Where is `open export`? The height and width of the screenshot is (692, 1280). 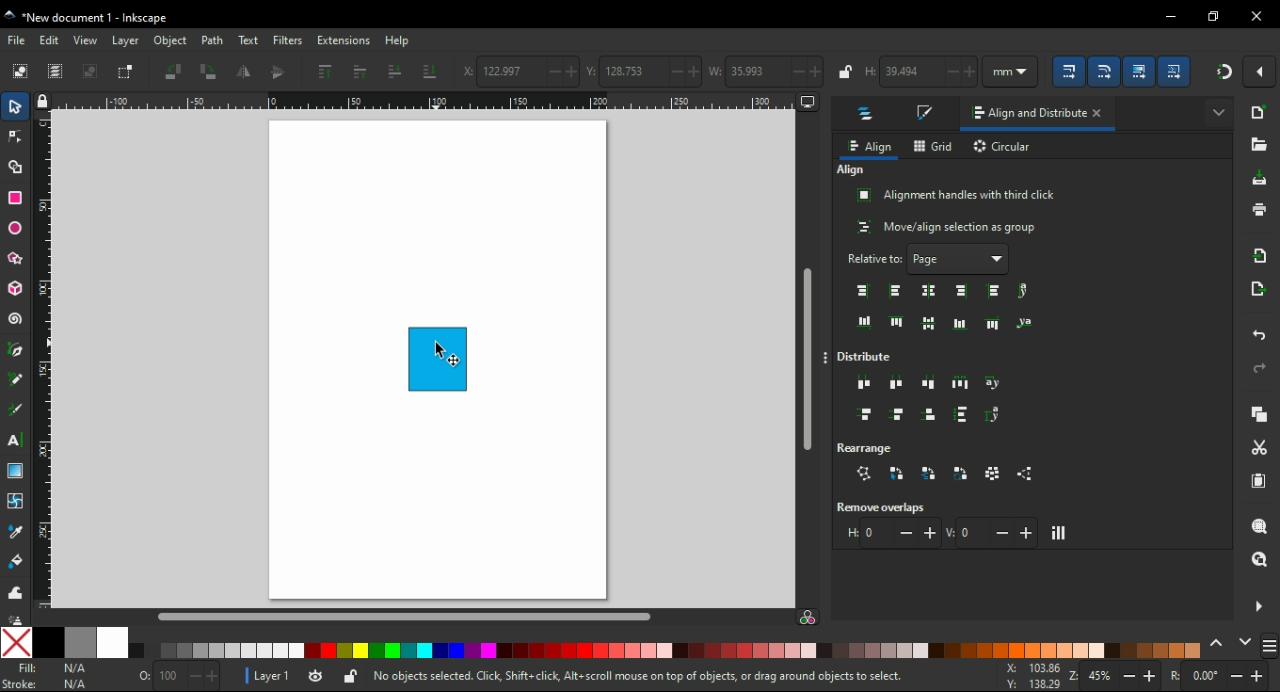
open export is located at coordinates (1261, 287).